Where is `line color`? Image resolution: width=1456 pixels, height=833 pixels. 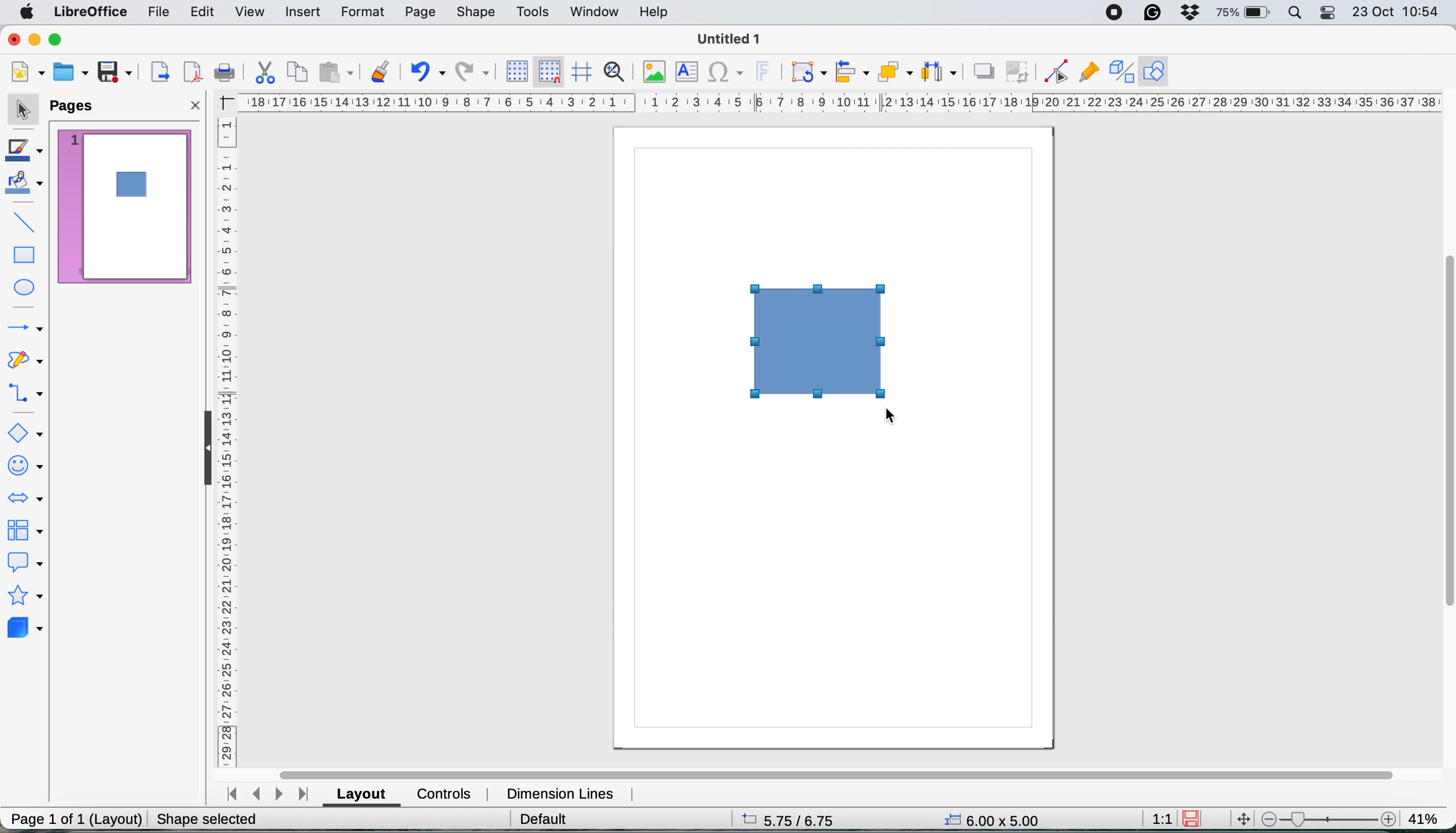 line color is located at coordinates (27, 152).